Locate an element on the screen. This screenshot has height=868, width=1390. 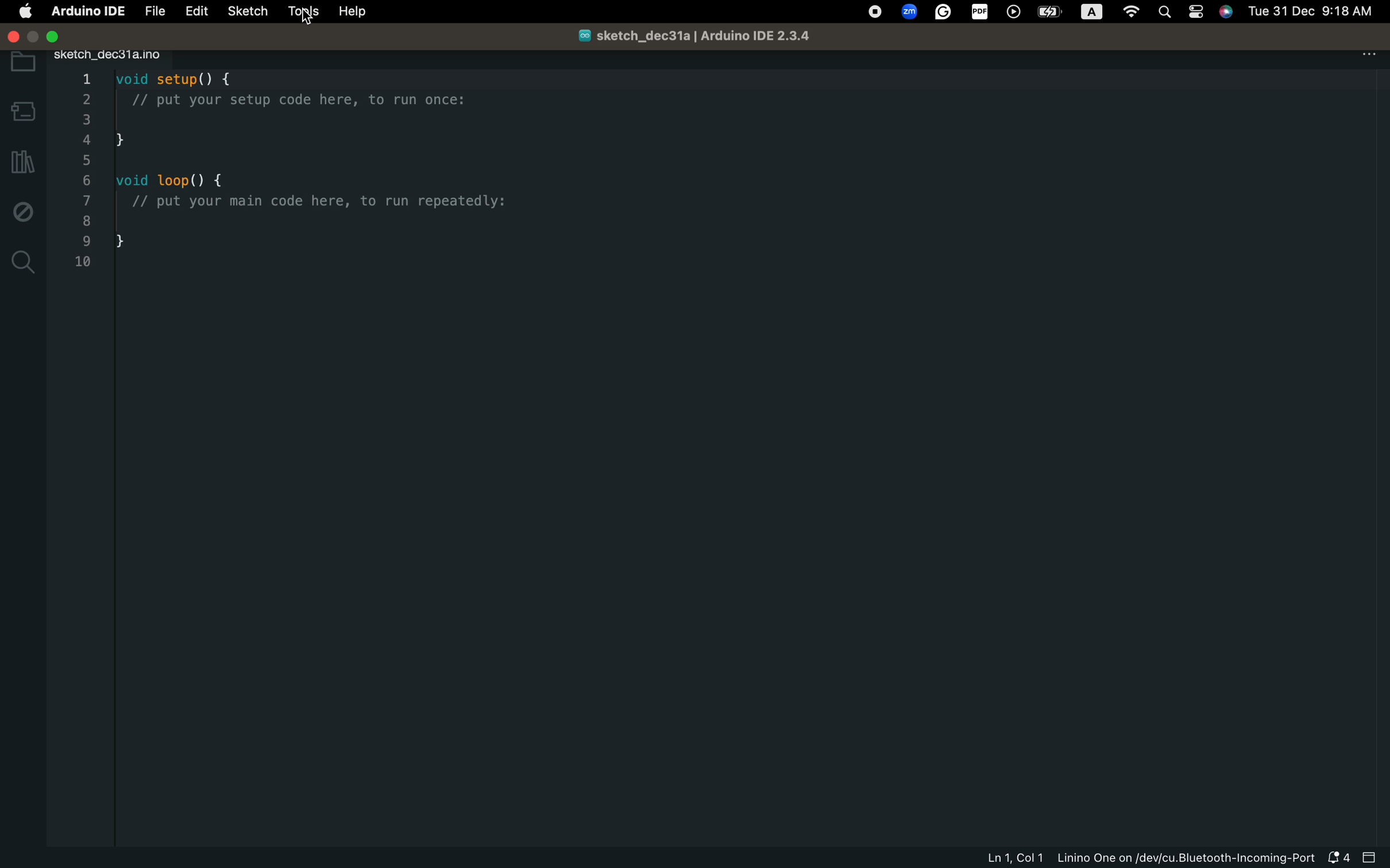
time and hour is located at coordinates (1314, 10).